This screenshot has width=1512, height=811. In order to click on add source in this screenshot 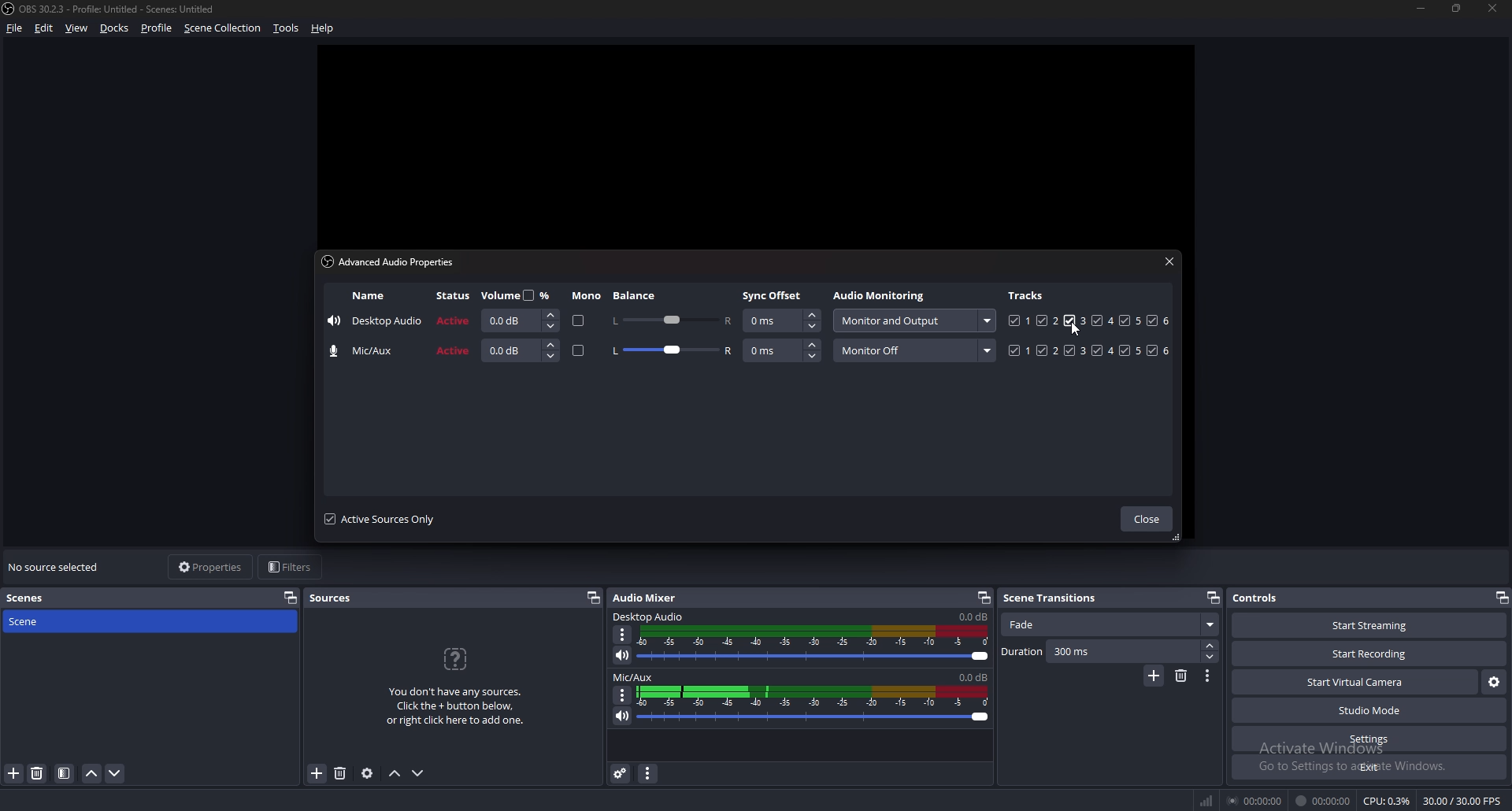, I will do `click(316, 774)`.